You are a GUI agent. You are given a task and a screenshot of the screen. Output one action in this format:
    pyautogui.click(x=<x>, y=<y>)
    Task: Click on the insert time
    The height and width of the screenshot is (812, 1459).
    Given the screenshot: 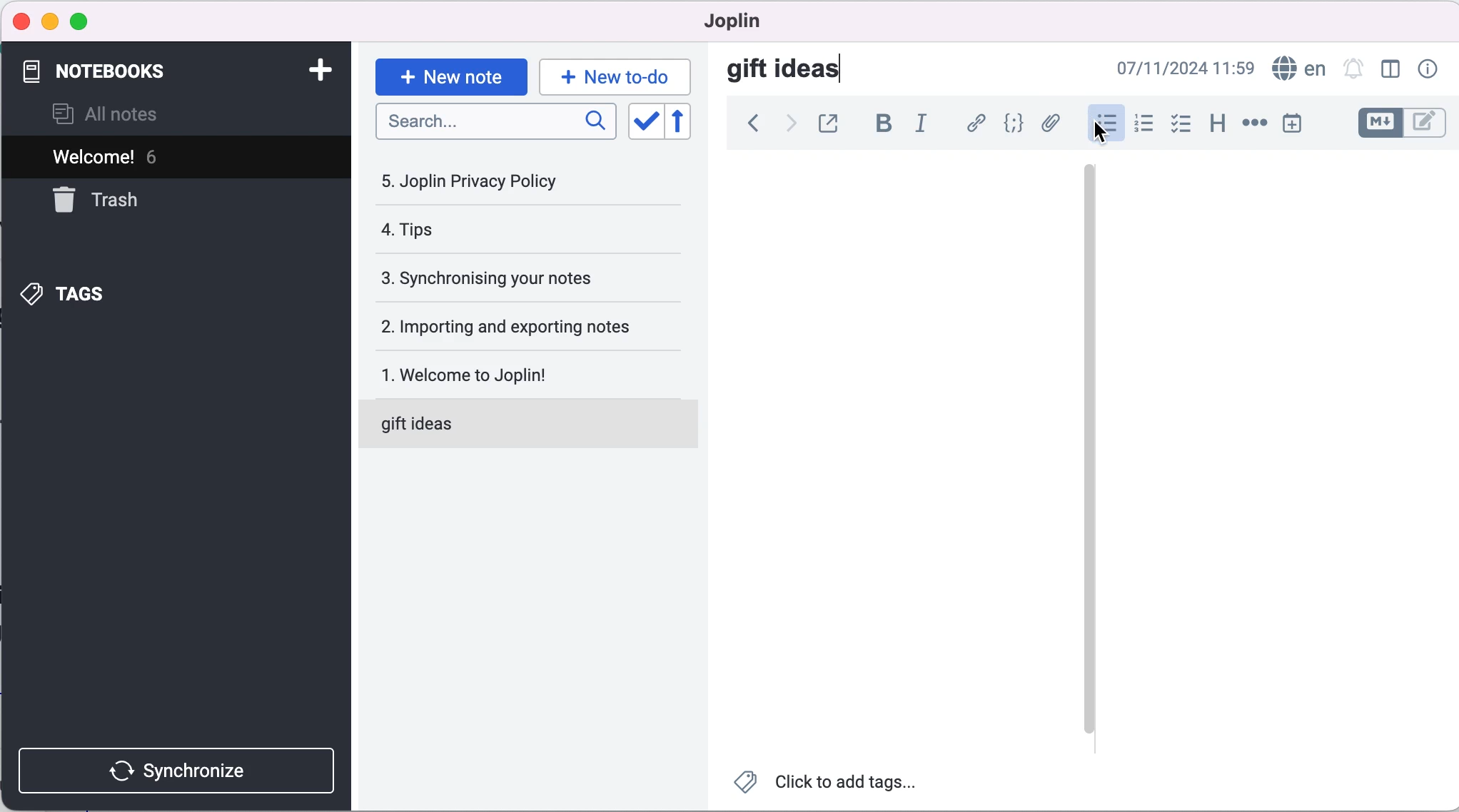 What is the action you would take?
    pyautogui.click(x=1297, y=126)
    